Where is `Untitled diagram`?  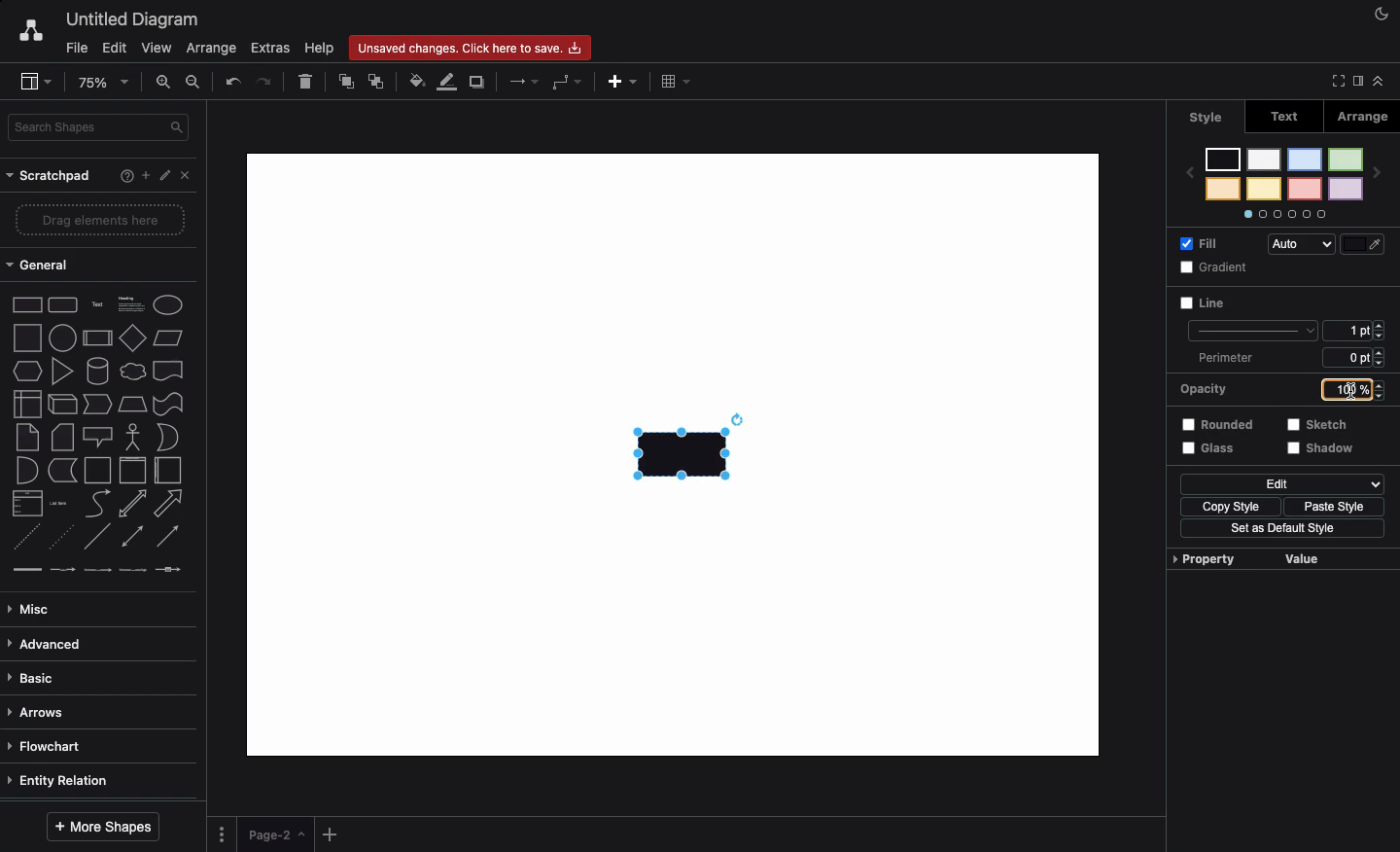
Untitled diagram is located at coordinates (131, 20).